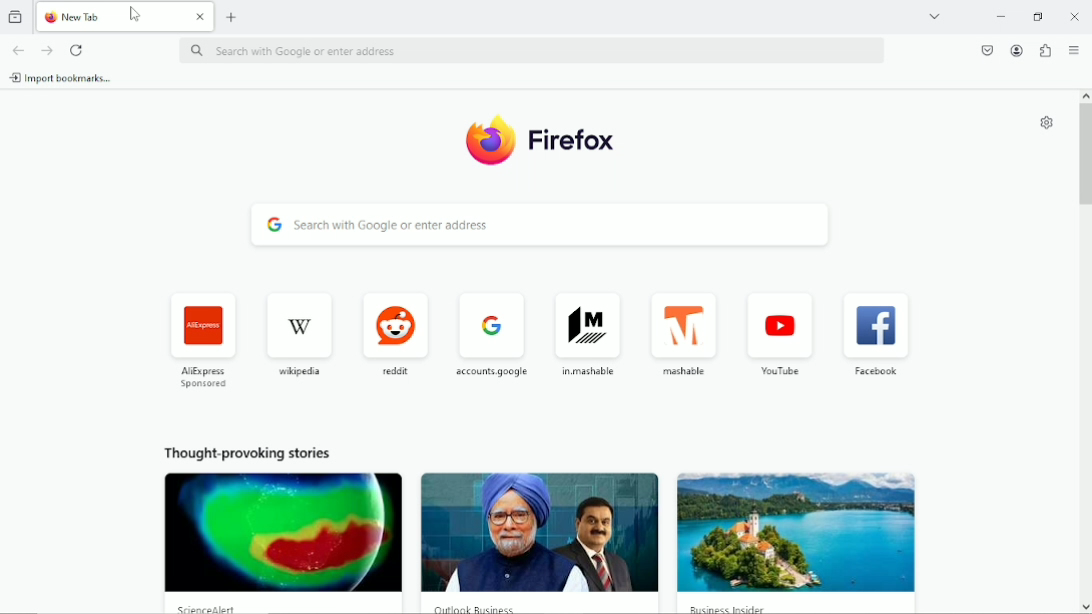 This screenshot has height=614, width=1092. Describe the element at coordinates (19, 49) in the screenshot. I see `go back` at that location.